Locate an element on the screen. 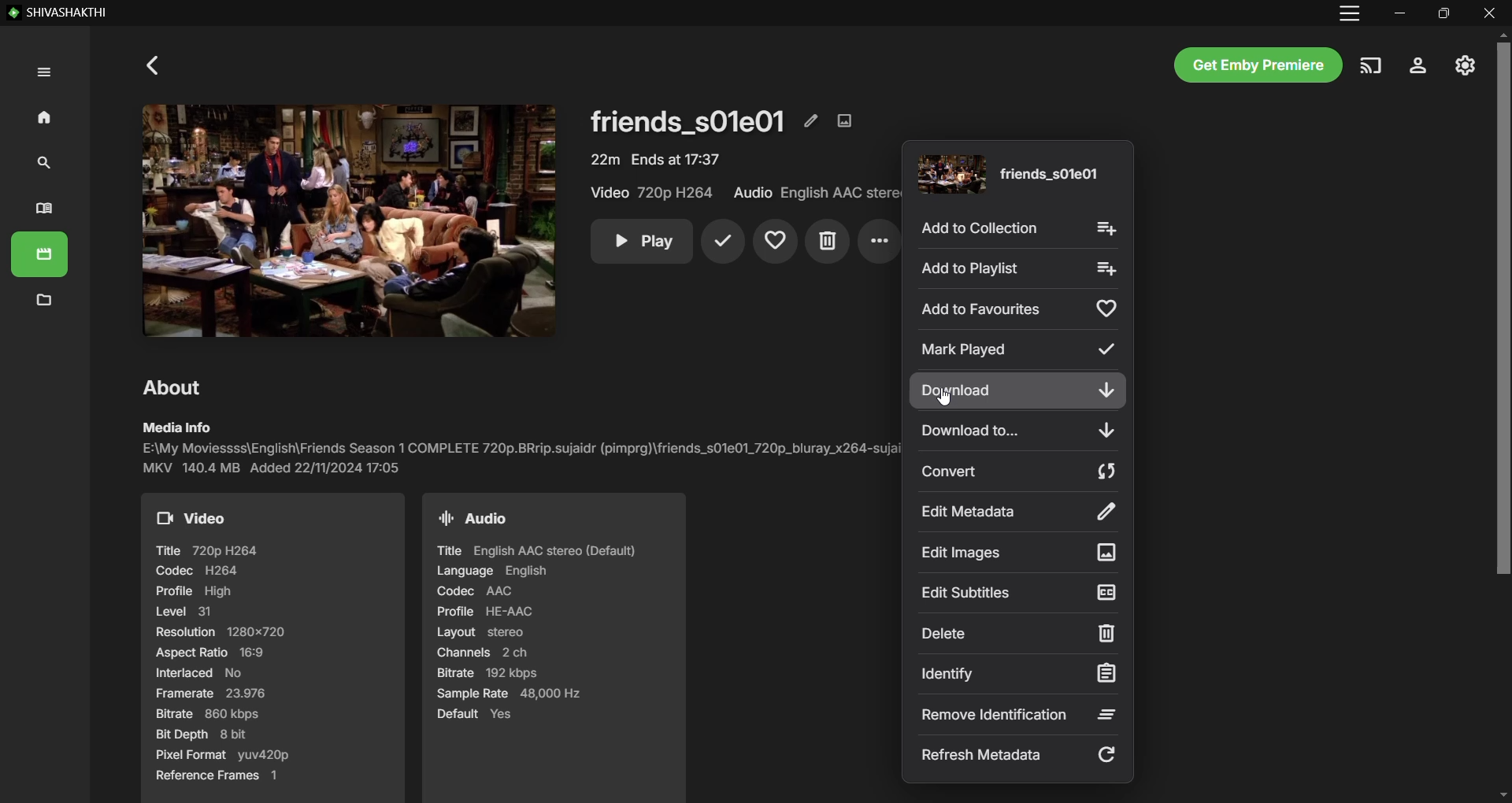  TV Episode name is located at coordinates (1007, 175).